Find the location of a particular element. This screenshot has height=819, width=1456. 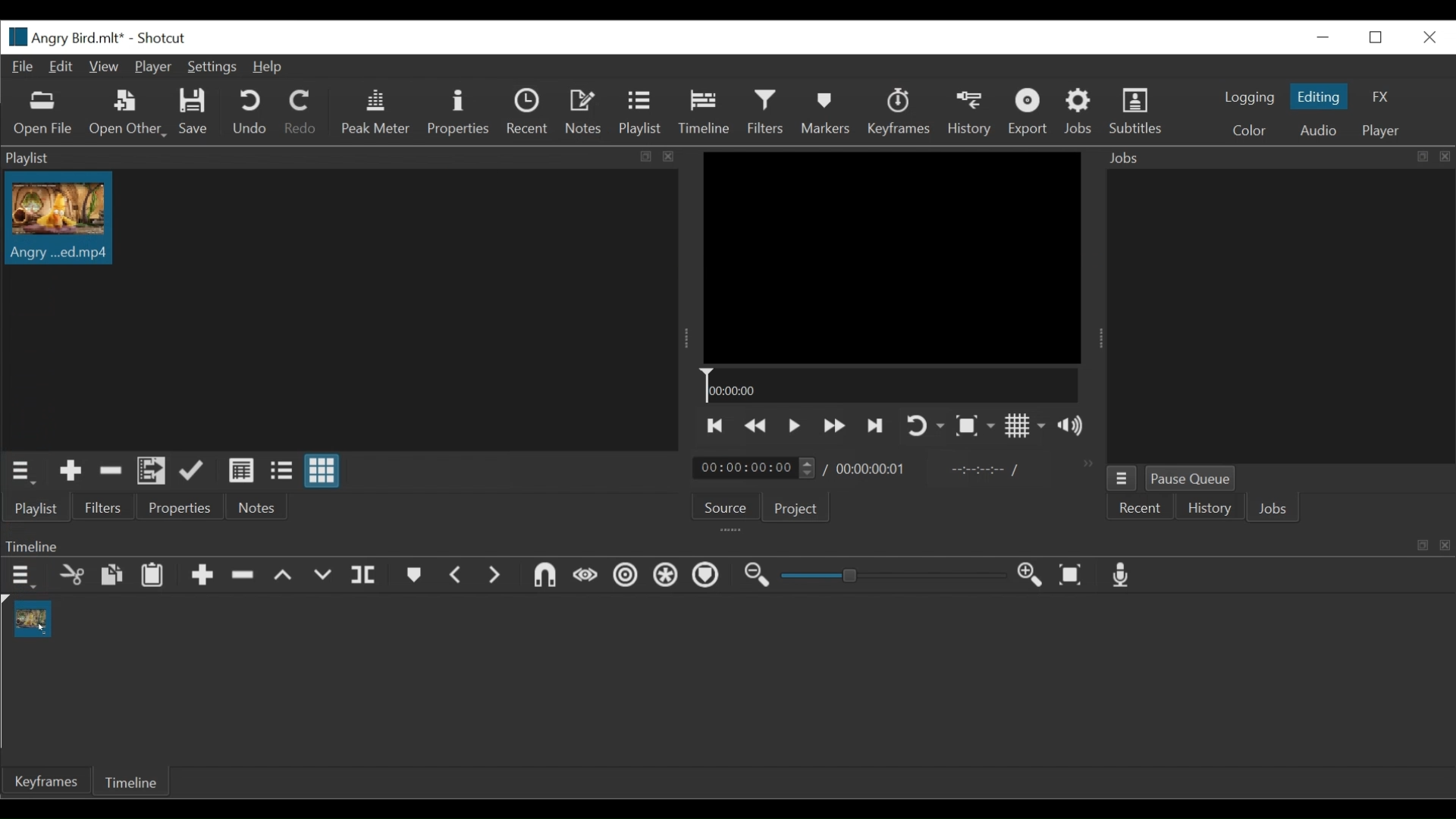

Player is located at coordinates (153, 67).